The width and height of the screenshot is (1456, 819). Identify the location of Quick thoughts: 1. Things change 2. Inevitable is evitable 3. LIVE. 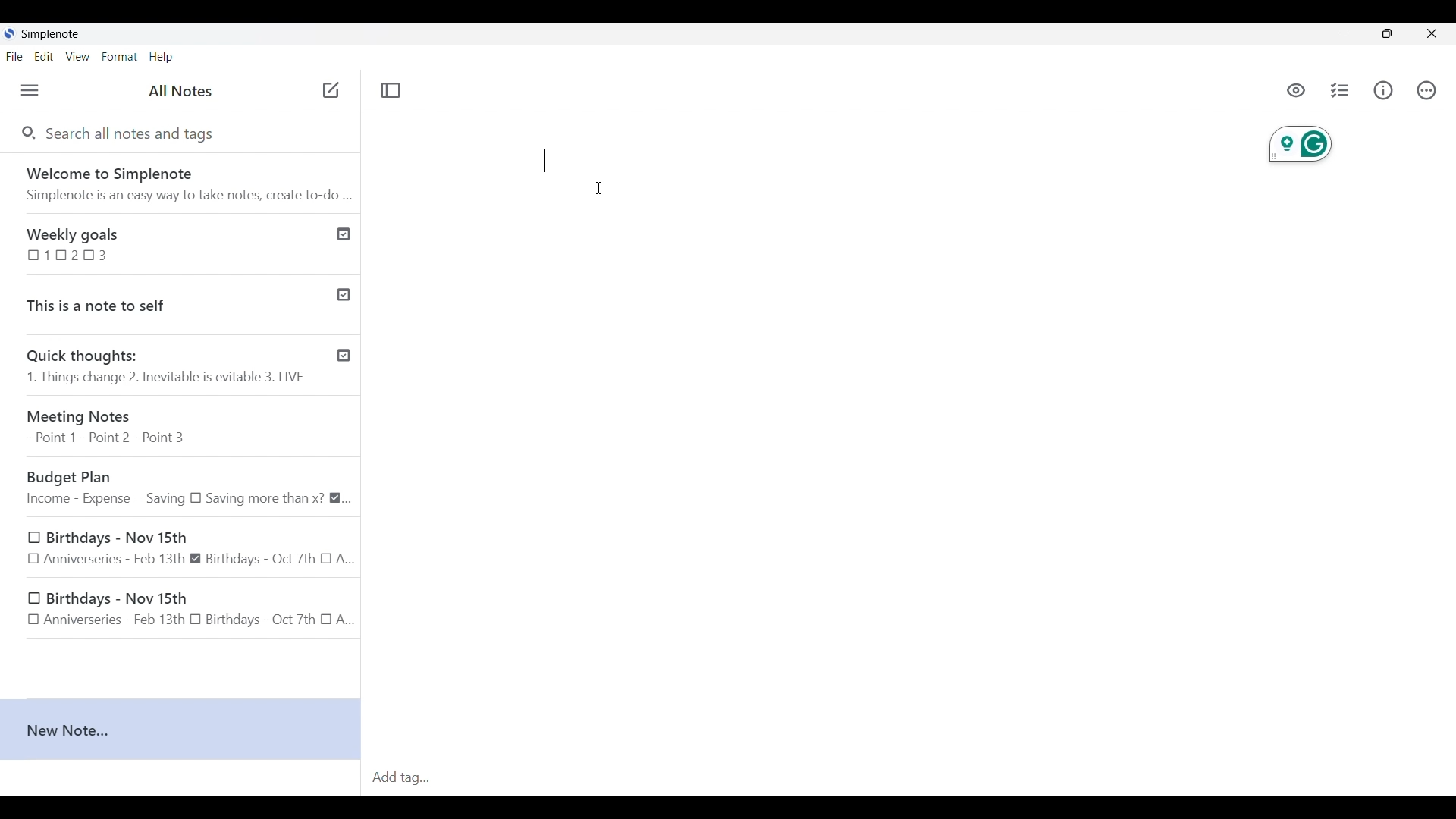
(165, 368).